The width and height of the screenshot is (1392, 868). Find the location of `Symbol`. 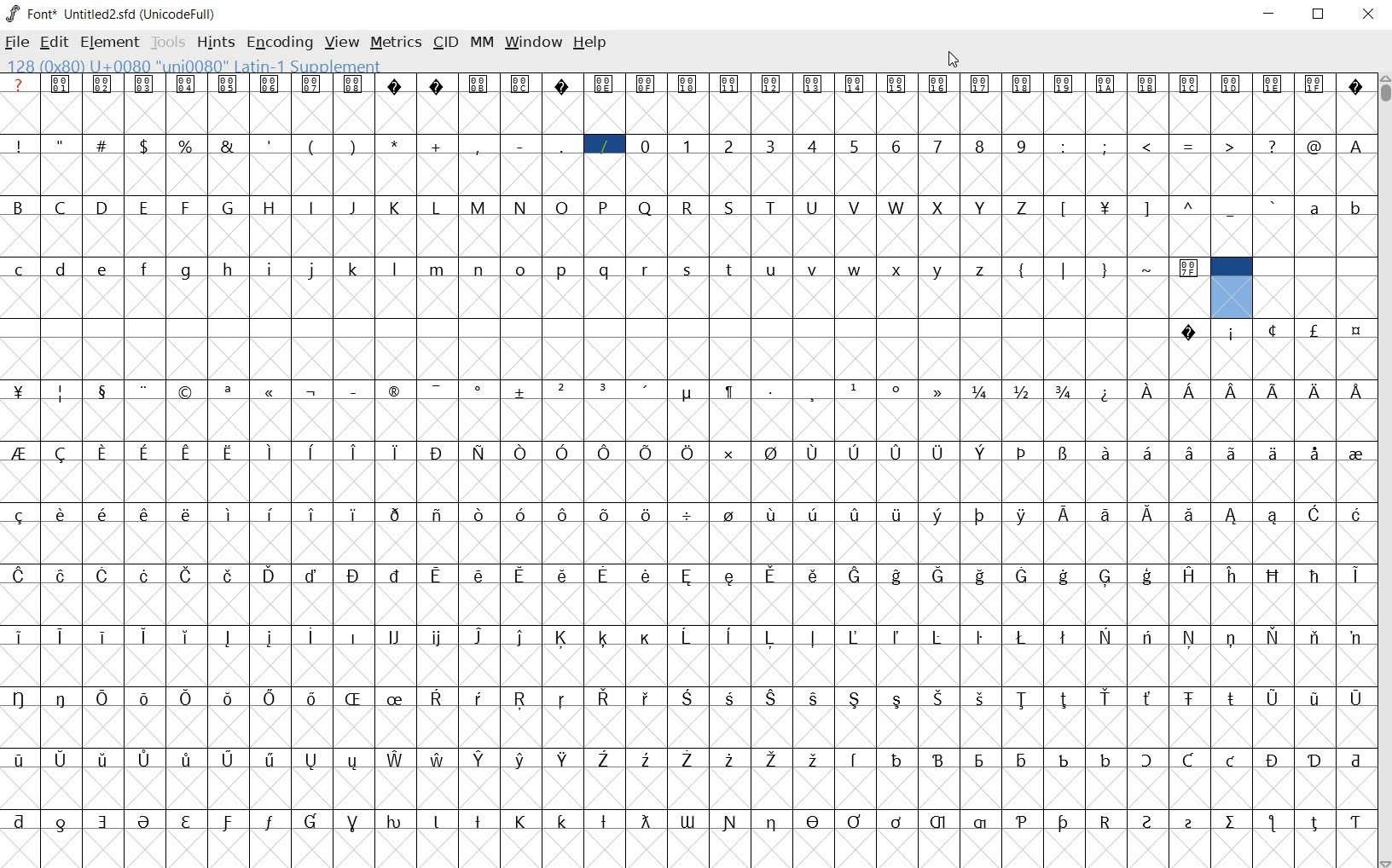

Symbol is located at coordinates (1024, 698).